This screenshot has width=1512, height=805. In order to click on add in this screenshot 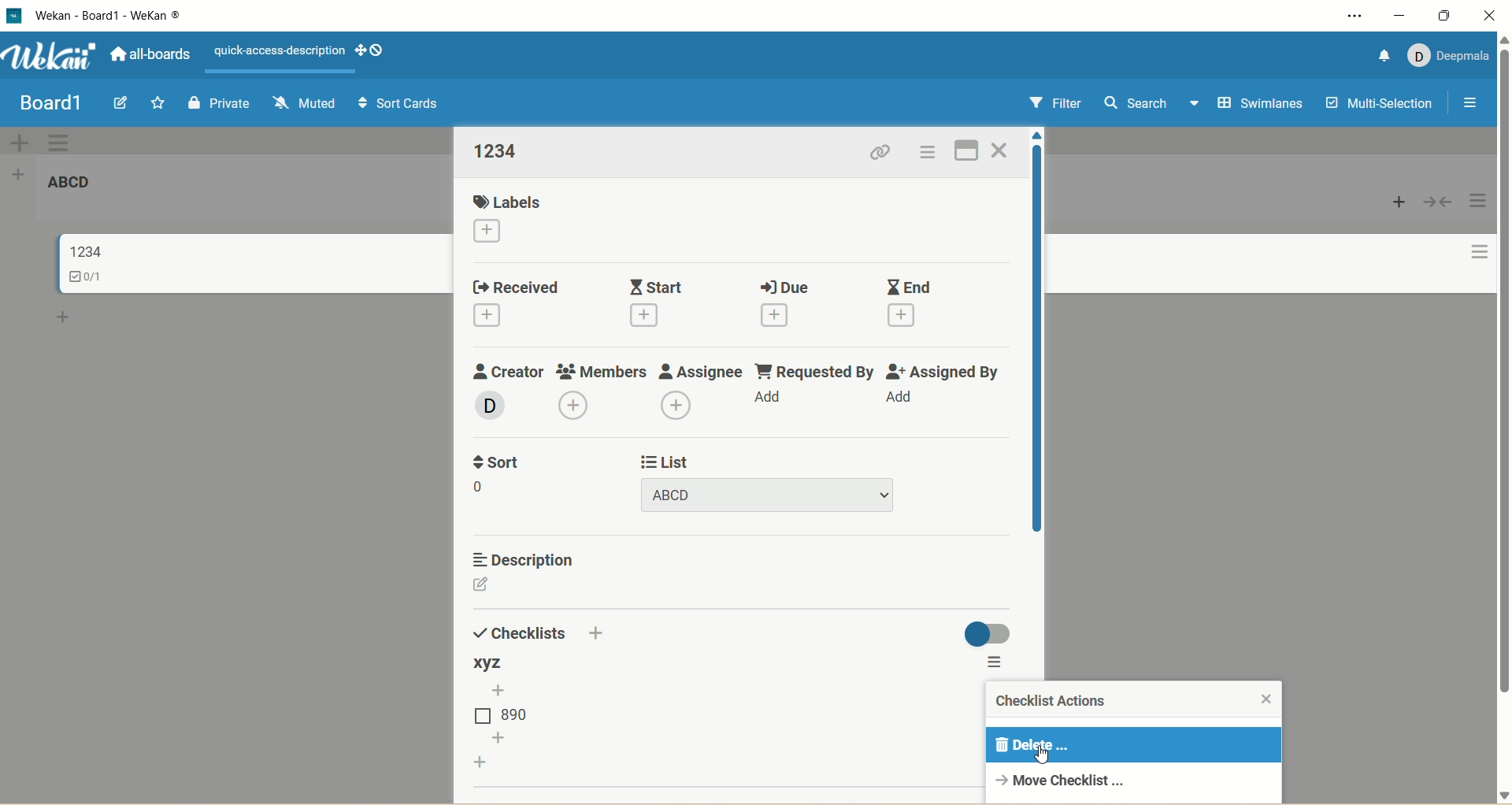, I will do `click(660, 317)`.